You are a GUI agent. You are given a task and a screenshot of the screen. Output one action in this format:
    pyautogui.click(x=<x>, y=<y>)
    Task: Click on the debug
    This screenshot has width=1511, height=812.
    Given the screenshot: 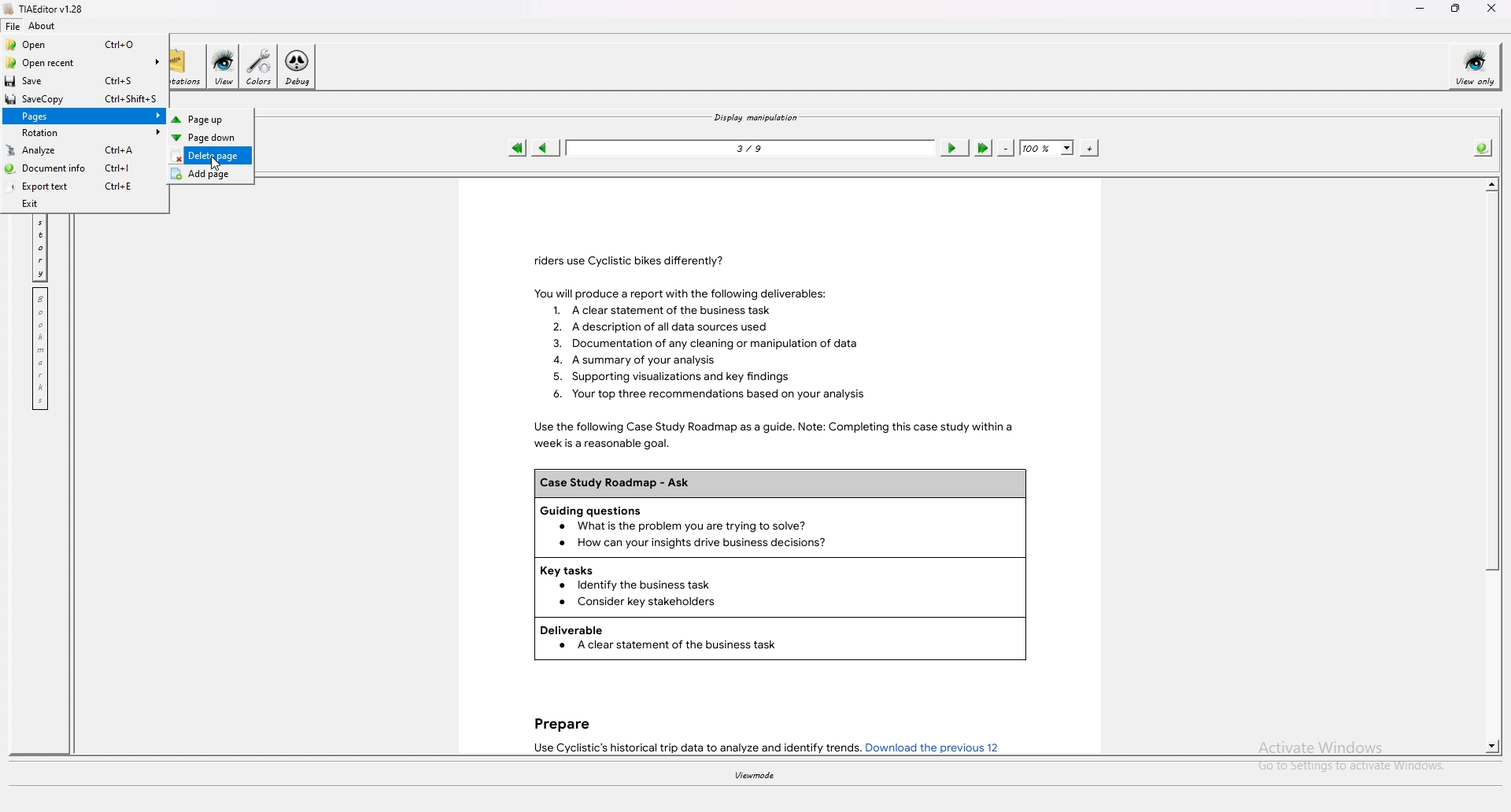 What is the action you would take?
    pyautogui.click(x=297, y=67)
    